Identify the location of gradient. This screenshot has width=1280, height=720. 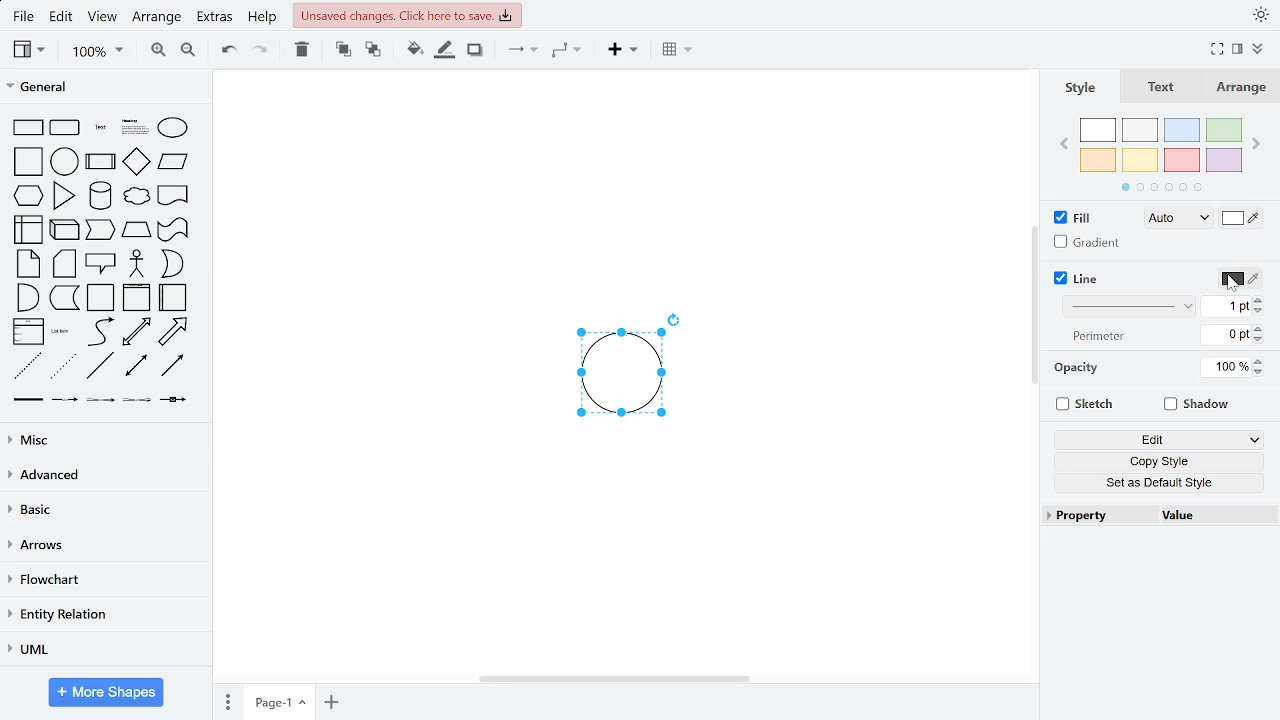
(1090, 243).